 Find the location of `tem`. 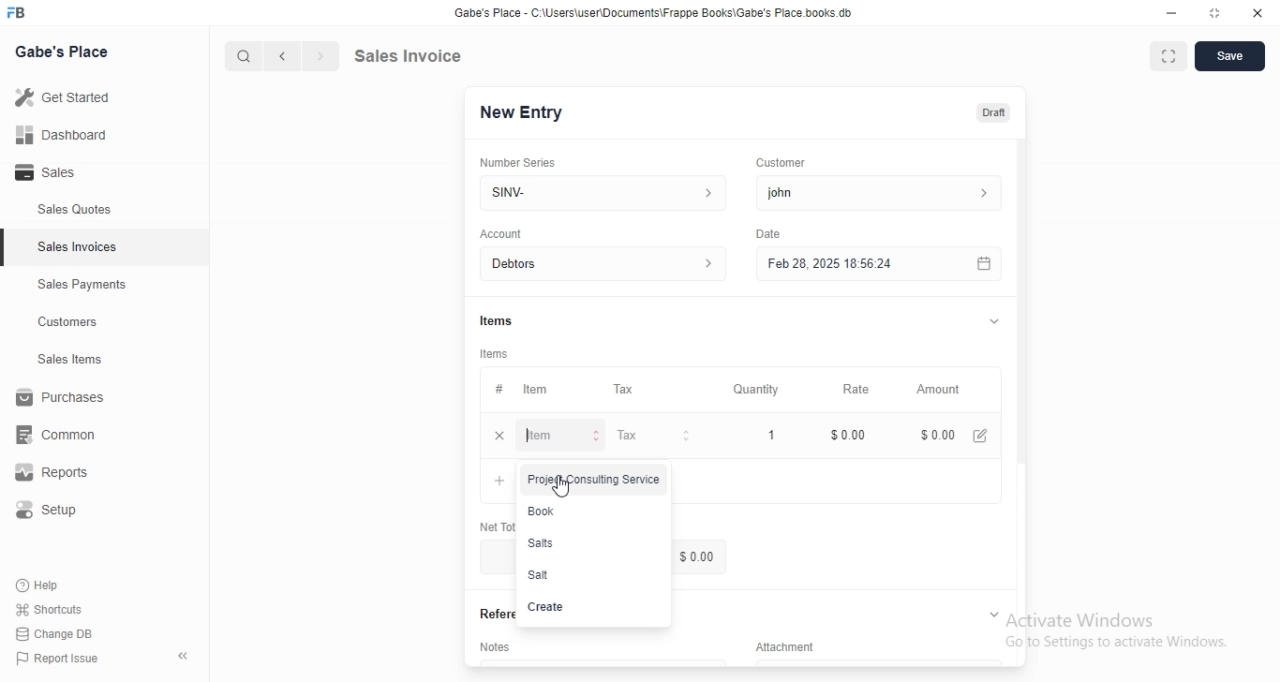

tem is located at coordinates (541, 389).